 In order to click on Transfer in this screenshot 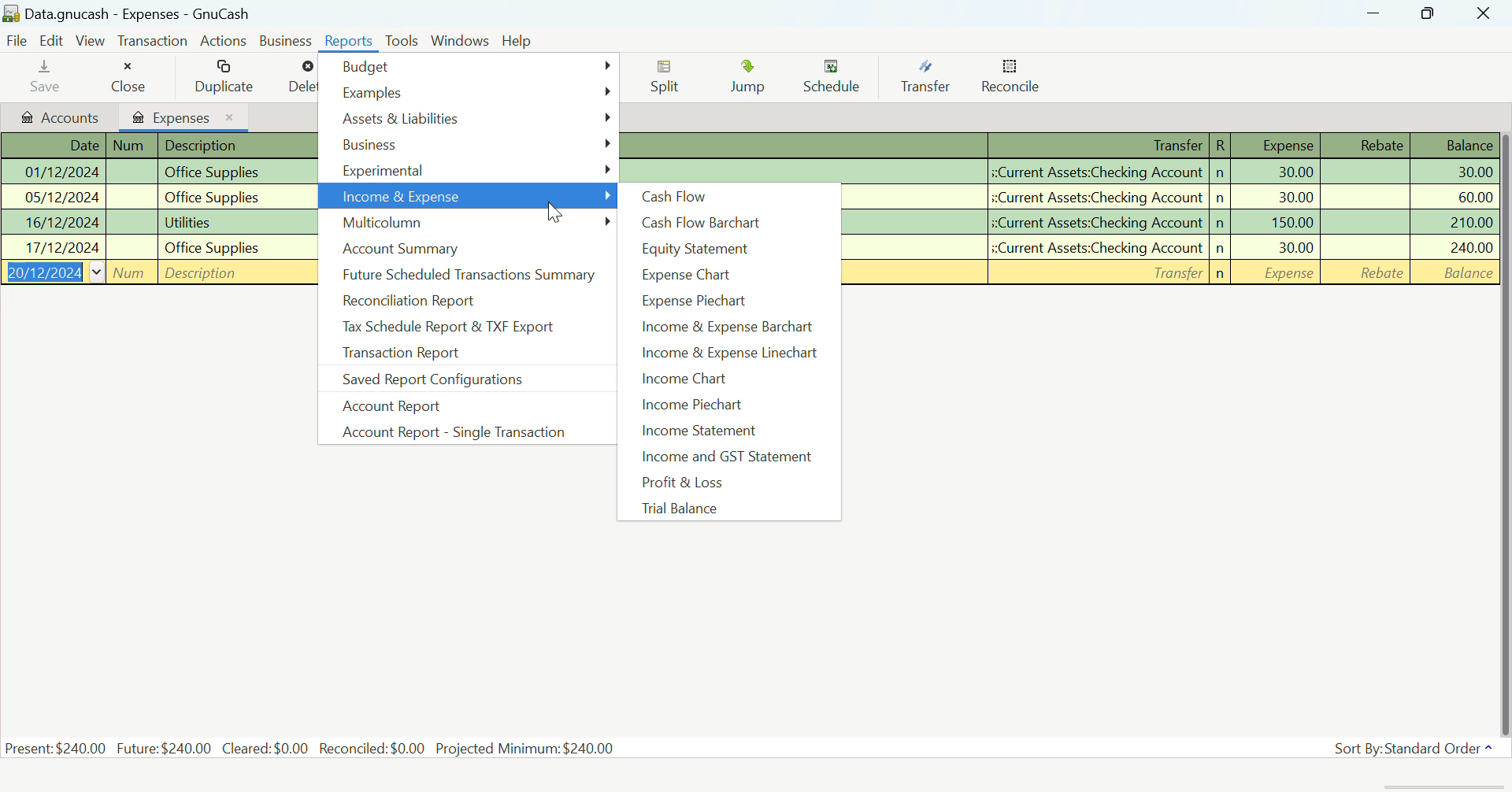, I will do `click(925, 77)`.